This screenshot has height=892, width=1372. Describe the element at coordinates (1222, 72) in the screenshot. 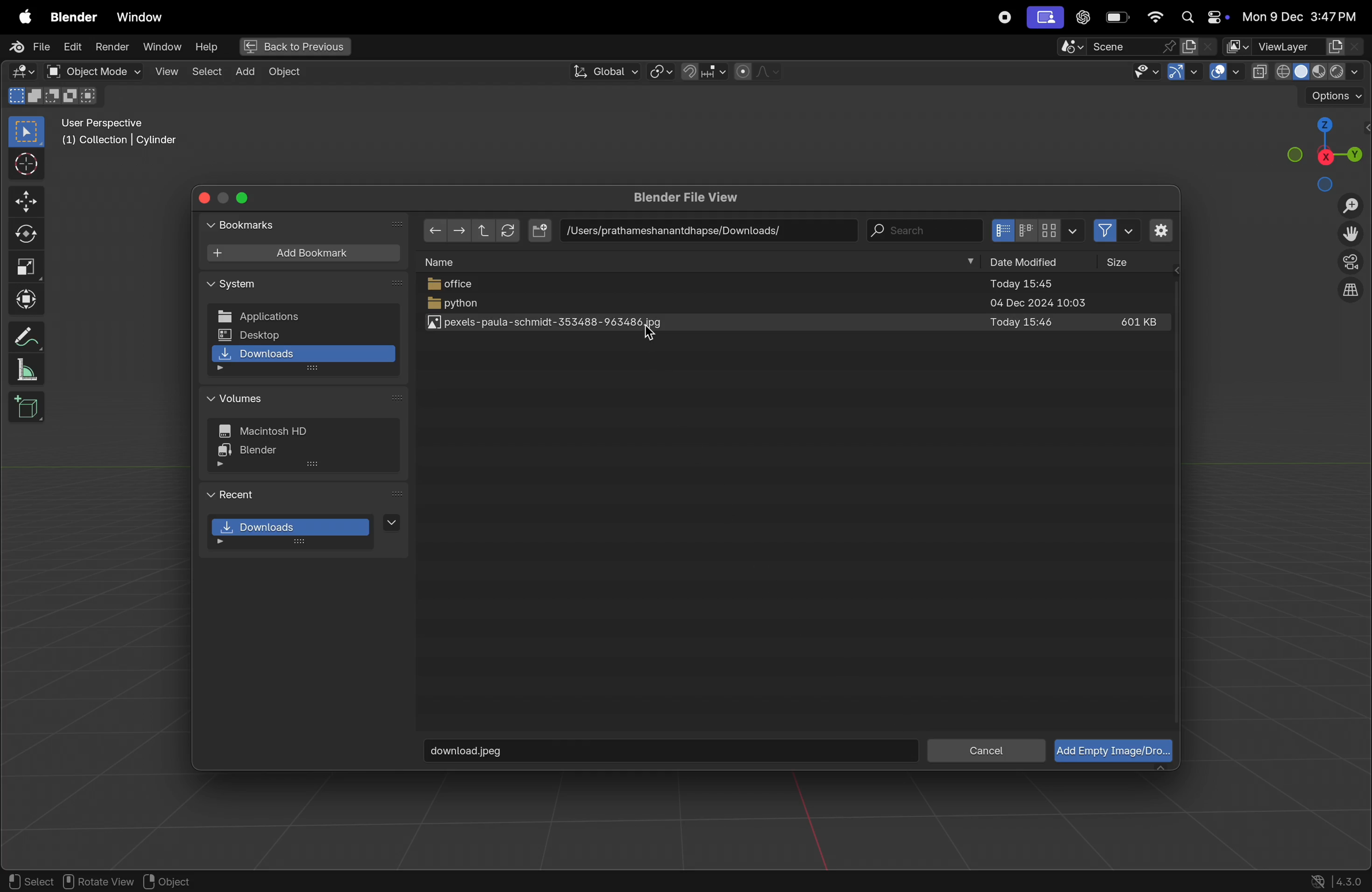

I see `overlays` at that location.